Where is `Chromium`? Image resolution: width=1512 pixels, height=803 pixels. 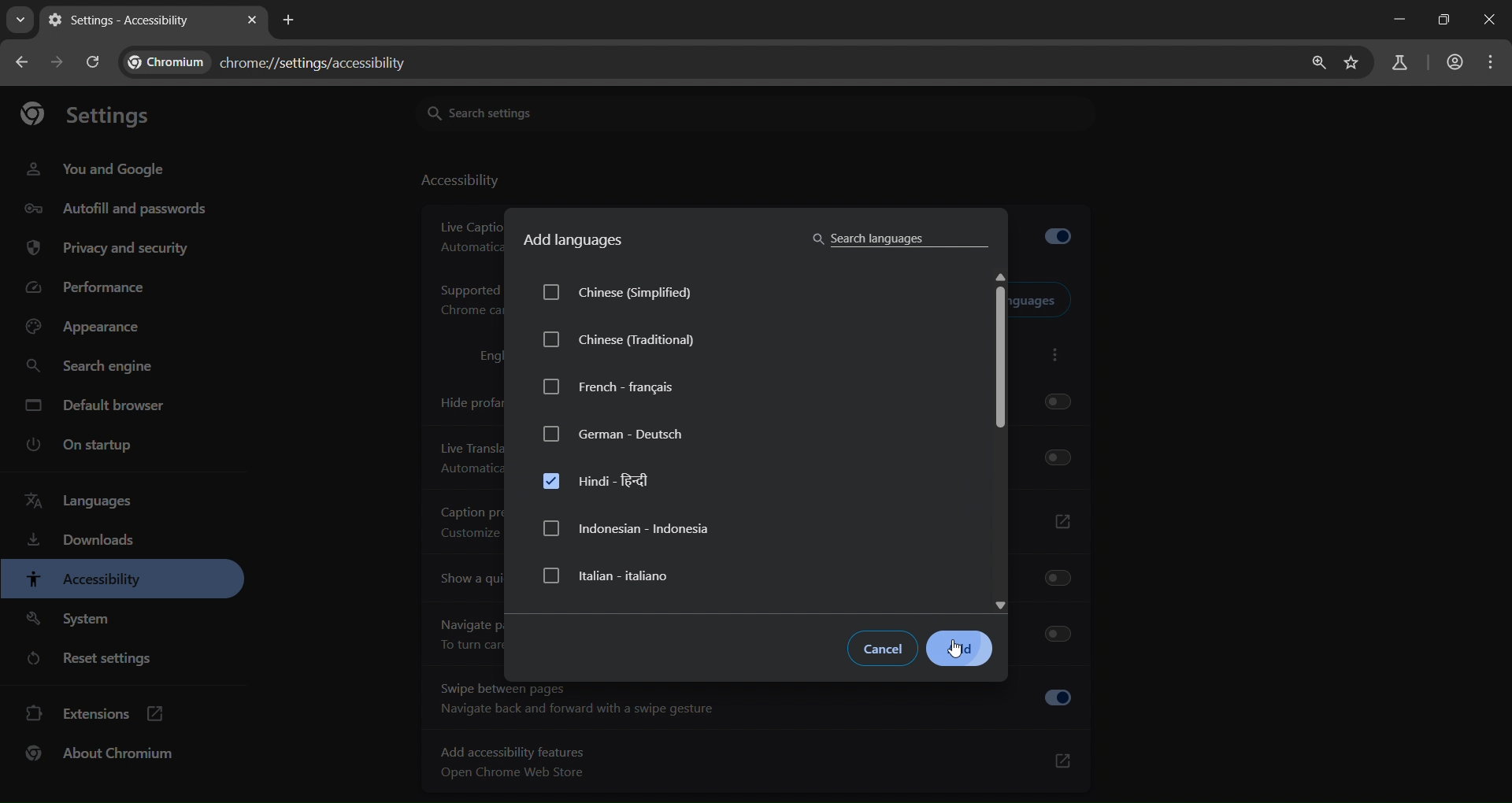
Chromium is located at coordinates (170, 61).